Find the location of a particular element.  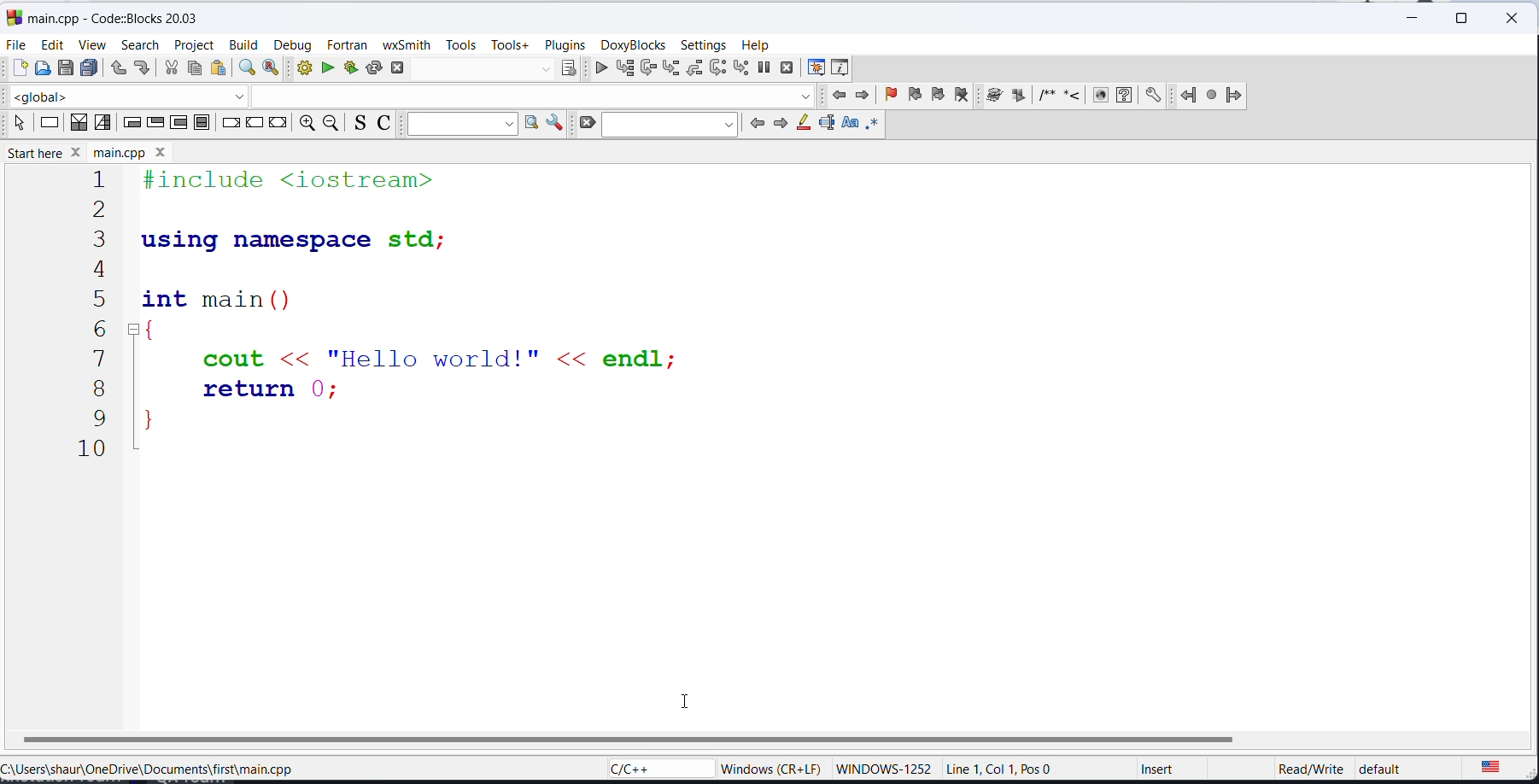

match case is located at coordinates (850, 125).